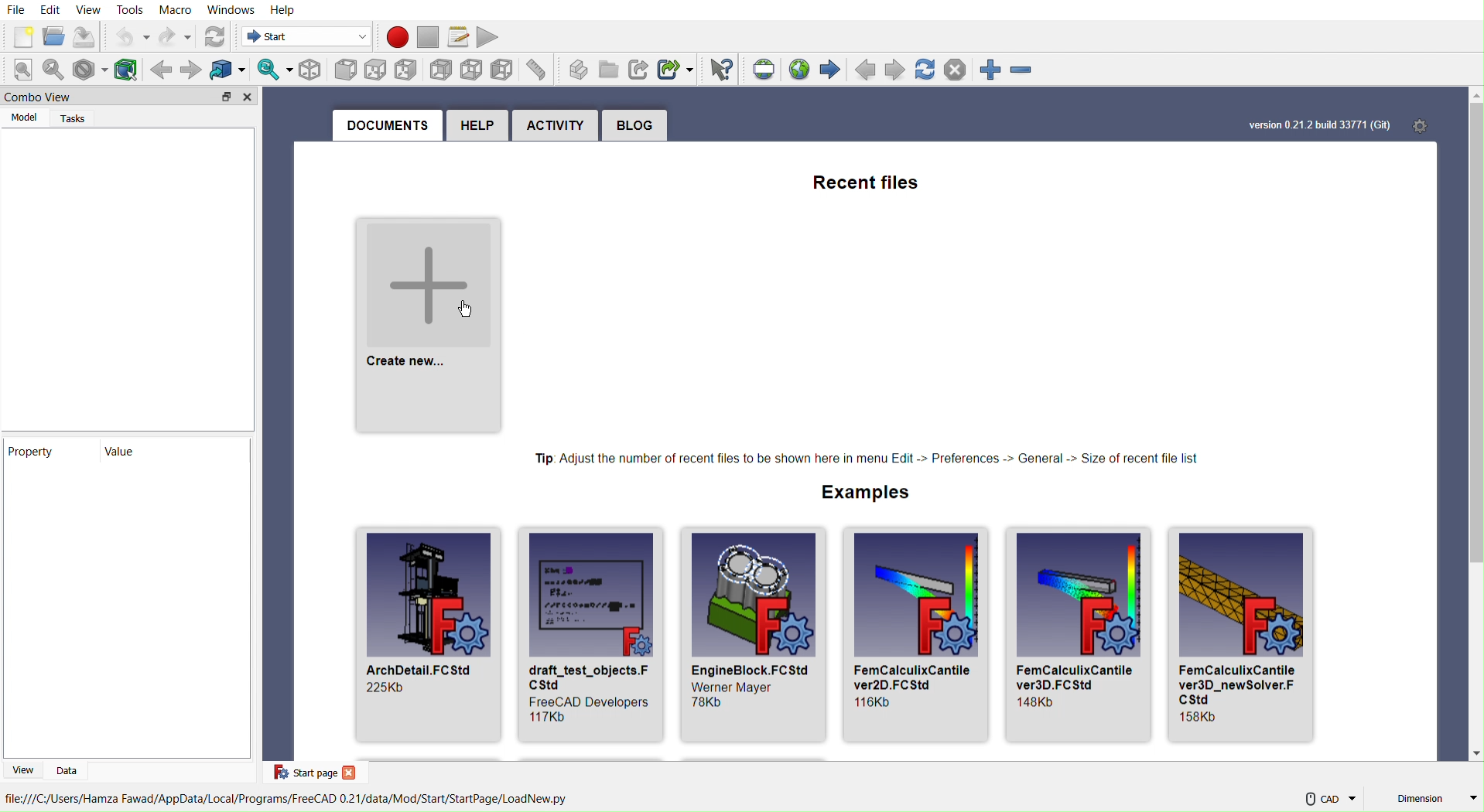 The height and width of the screenshot is (812, 1484). What do you see at coordinates (385, 127) in the screenshot?
I see `Documents` at bounding box center [385, 127].